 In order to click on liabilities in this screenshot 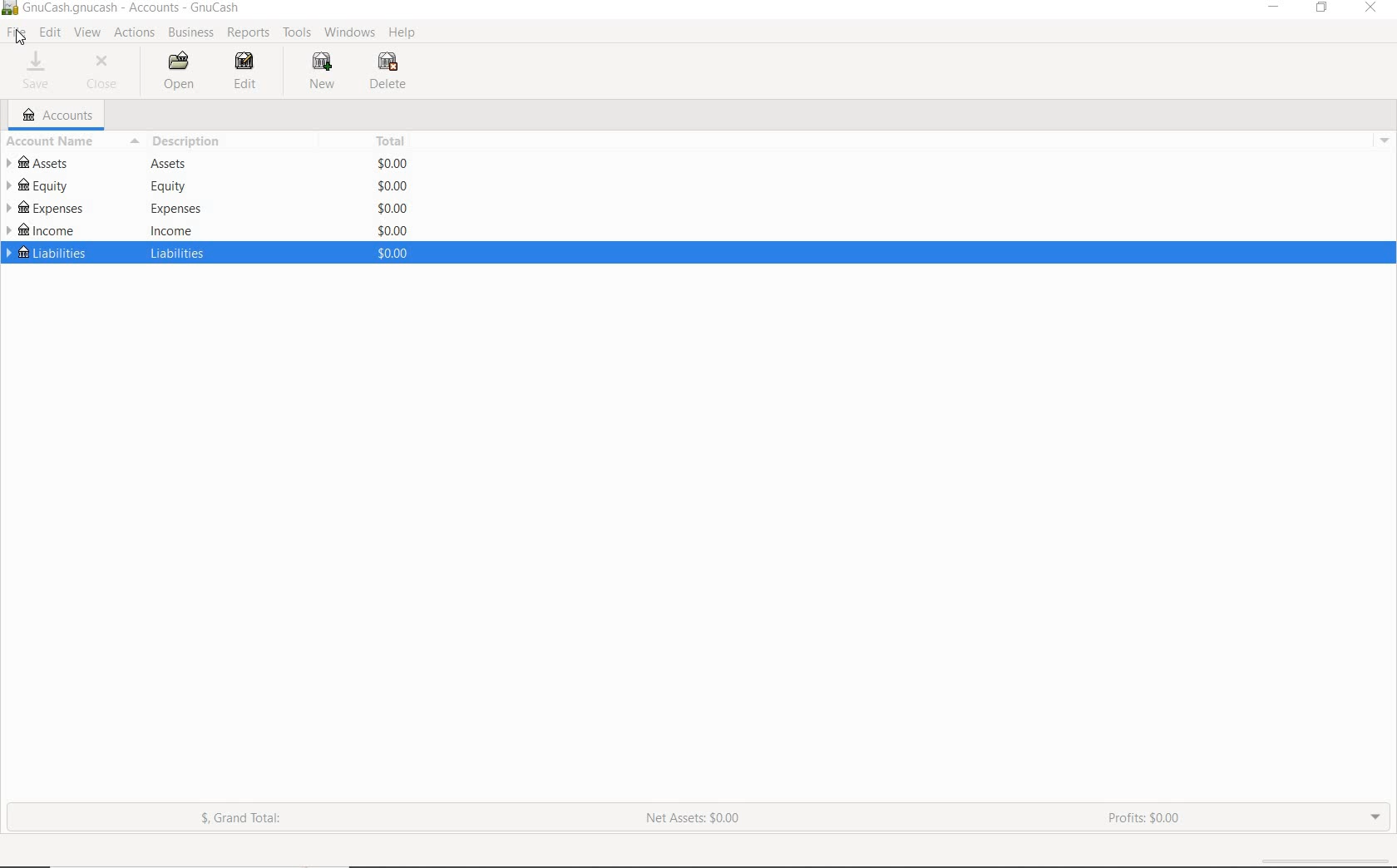, I will do `click(180, 252)`.